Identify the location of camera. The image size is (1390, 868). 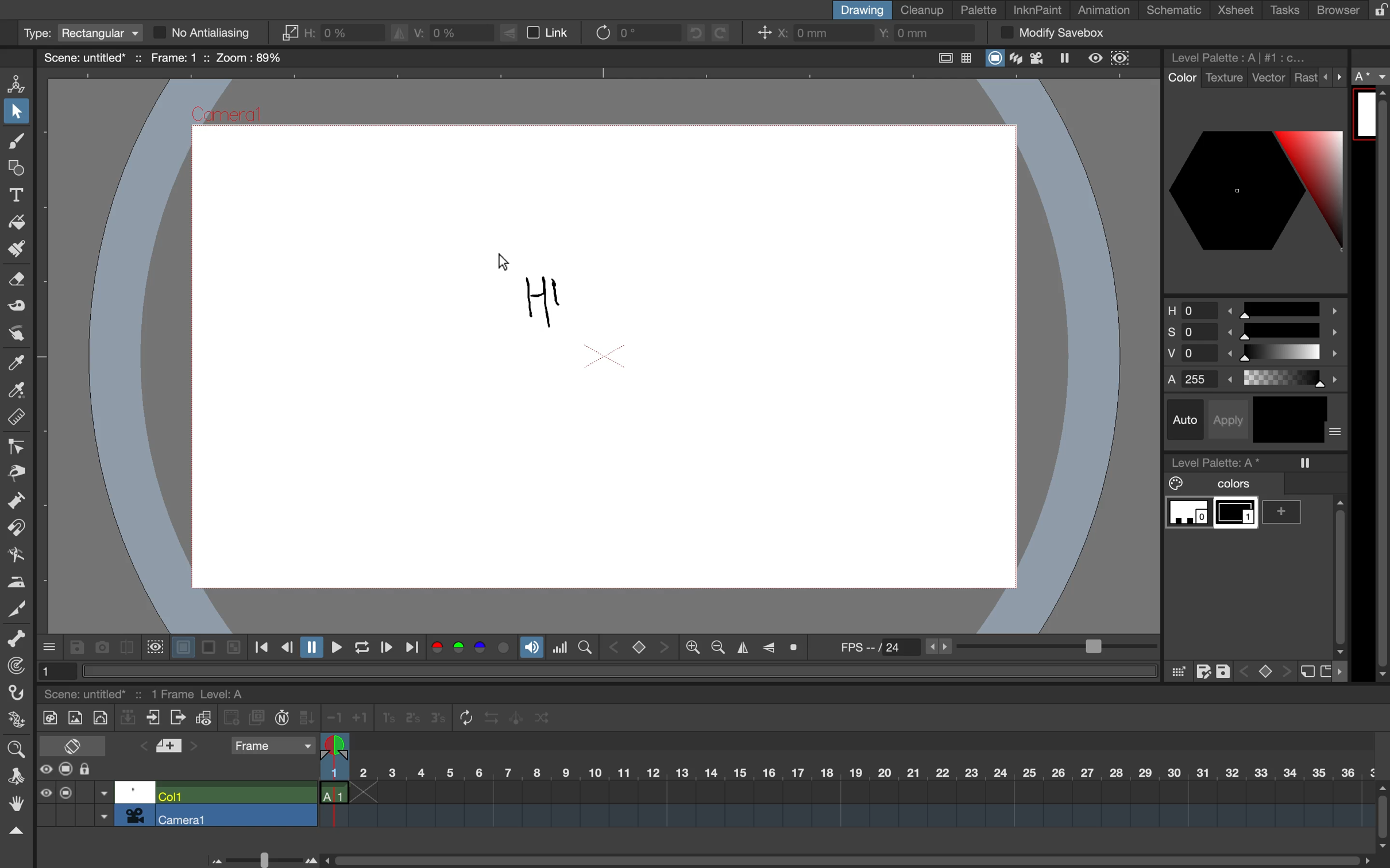
(135, 815).